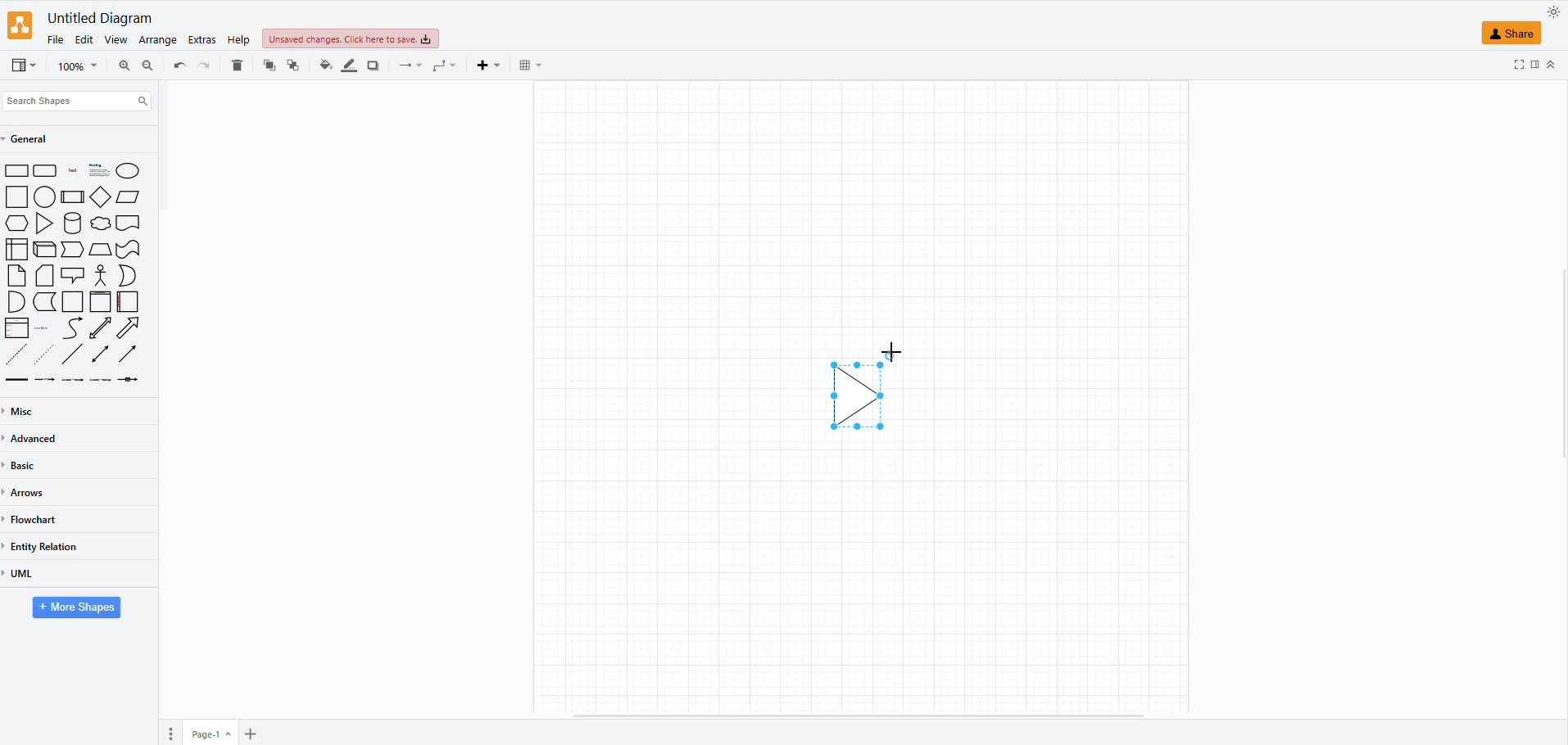  I want to click on Labelled Arrow, so click(101, 380).